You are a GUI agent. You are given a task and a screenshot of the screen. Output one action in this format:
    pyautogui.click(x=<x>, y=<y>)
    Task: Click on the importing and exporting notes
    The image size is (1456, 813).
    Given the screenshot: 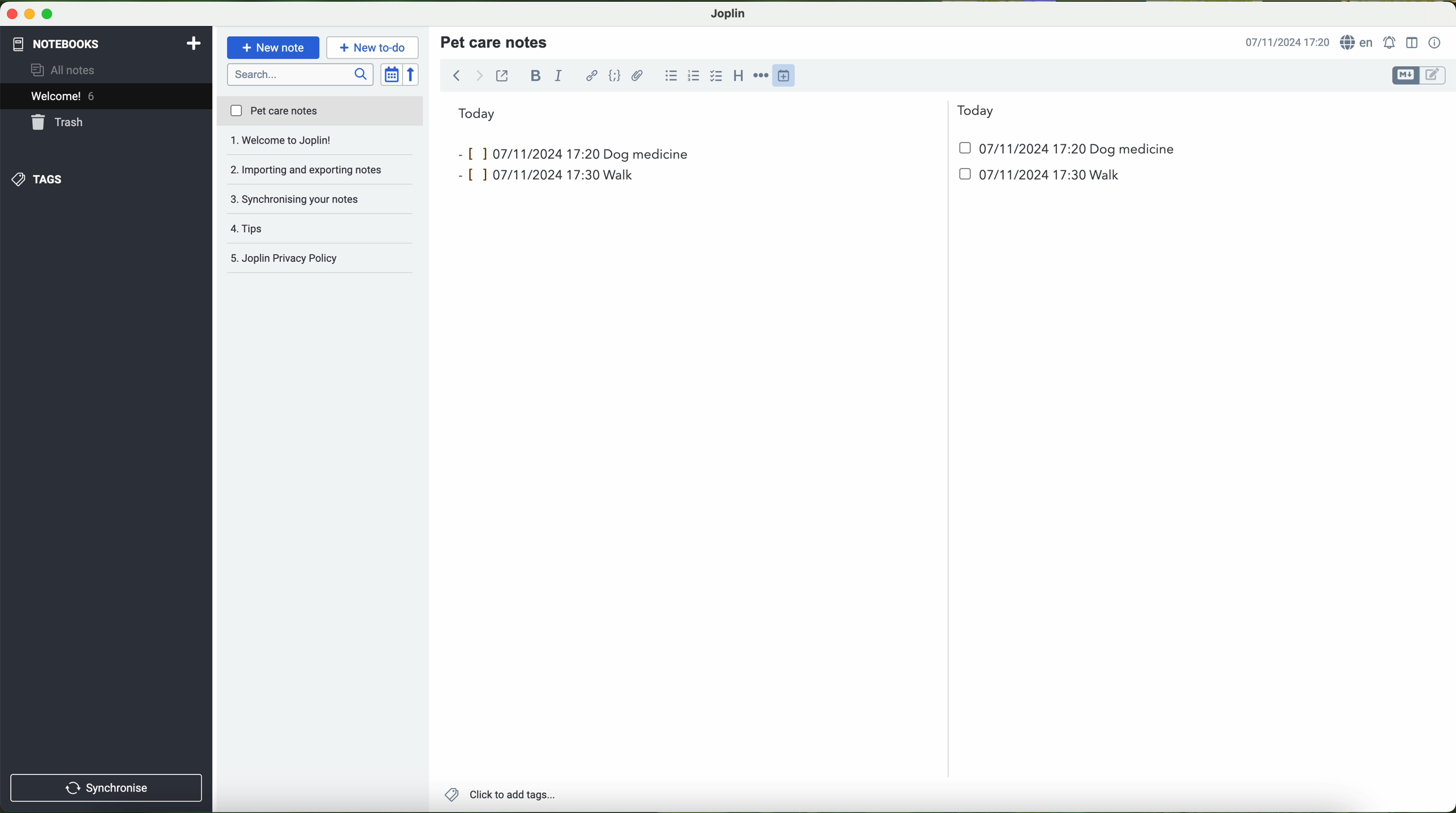 What is the action you would take?
    pyautogui.click(x=320, y=144)
    